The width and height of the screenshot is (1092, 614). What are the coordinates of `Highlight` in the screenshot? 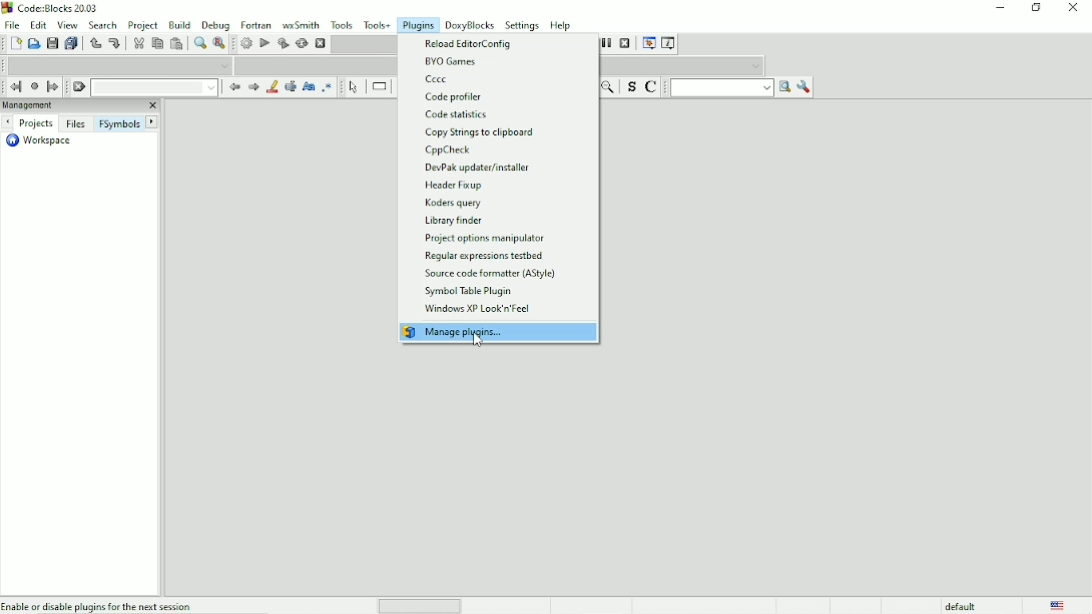 It's located at (271, 88).